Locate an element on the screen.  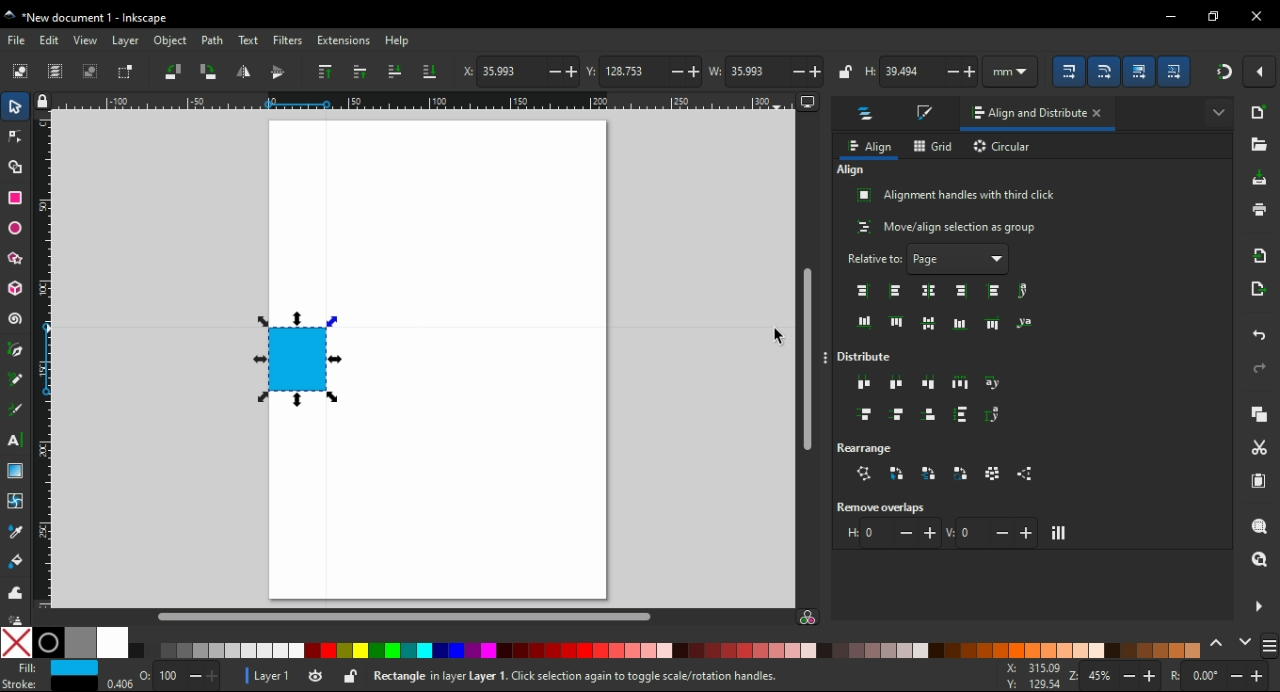
raise to top is located at coordinates (325, 74).